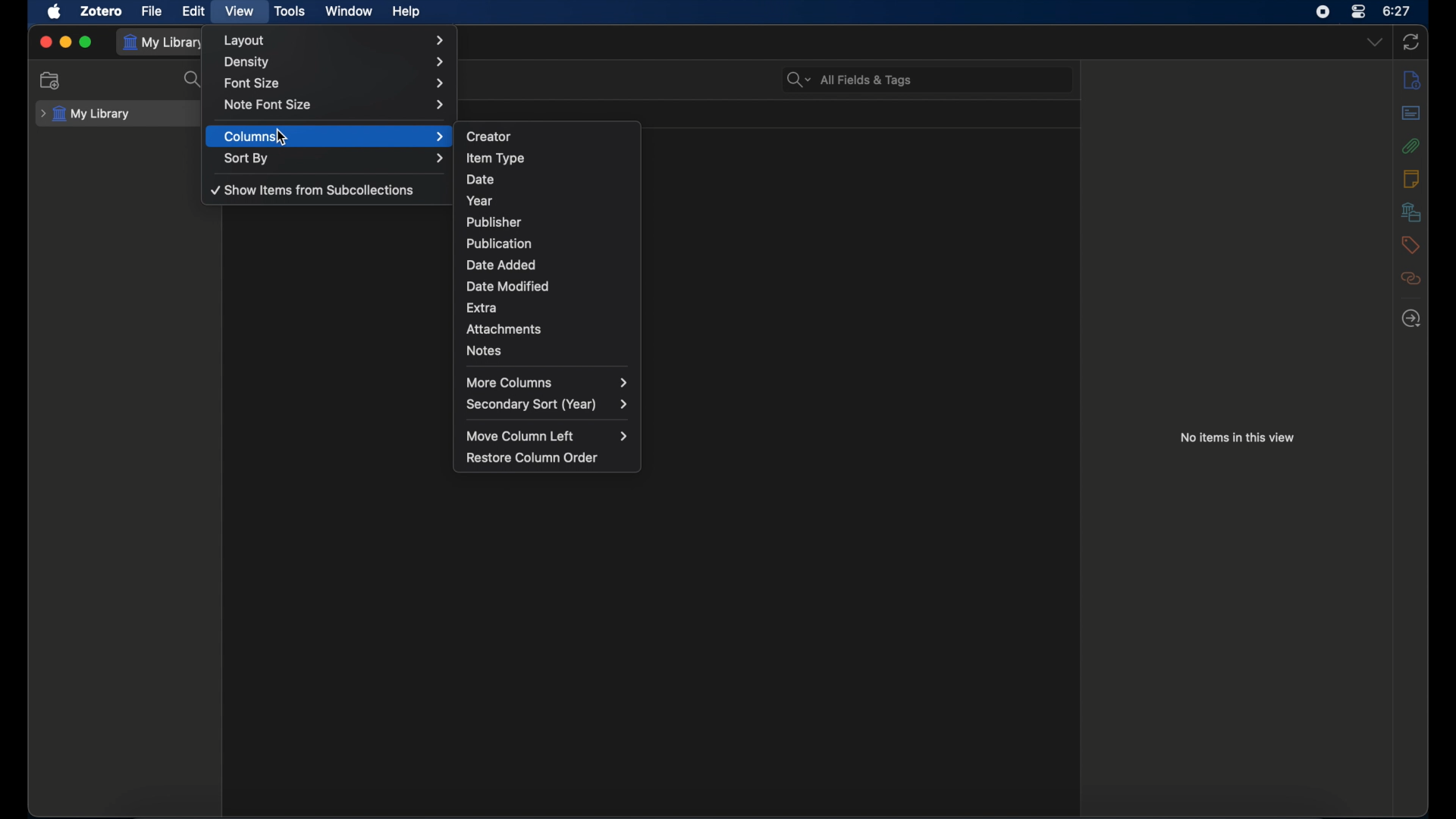 The image size is (1456, 819). I want to click on sync, so click(1411, 42).